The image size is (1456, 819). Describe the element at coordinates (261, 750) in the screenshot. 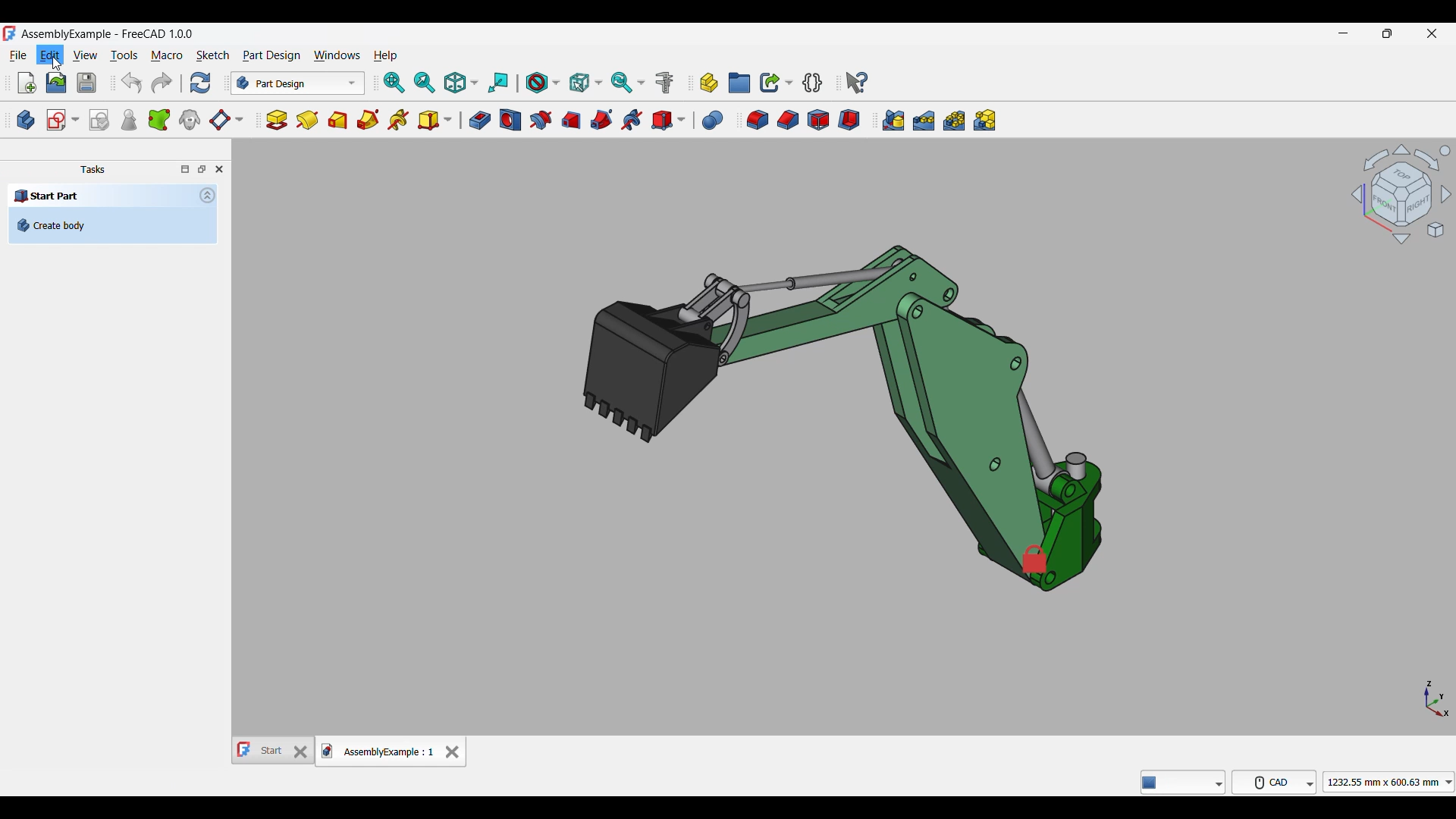

I see `Start - name of other tab` at that location.